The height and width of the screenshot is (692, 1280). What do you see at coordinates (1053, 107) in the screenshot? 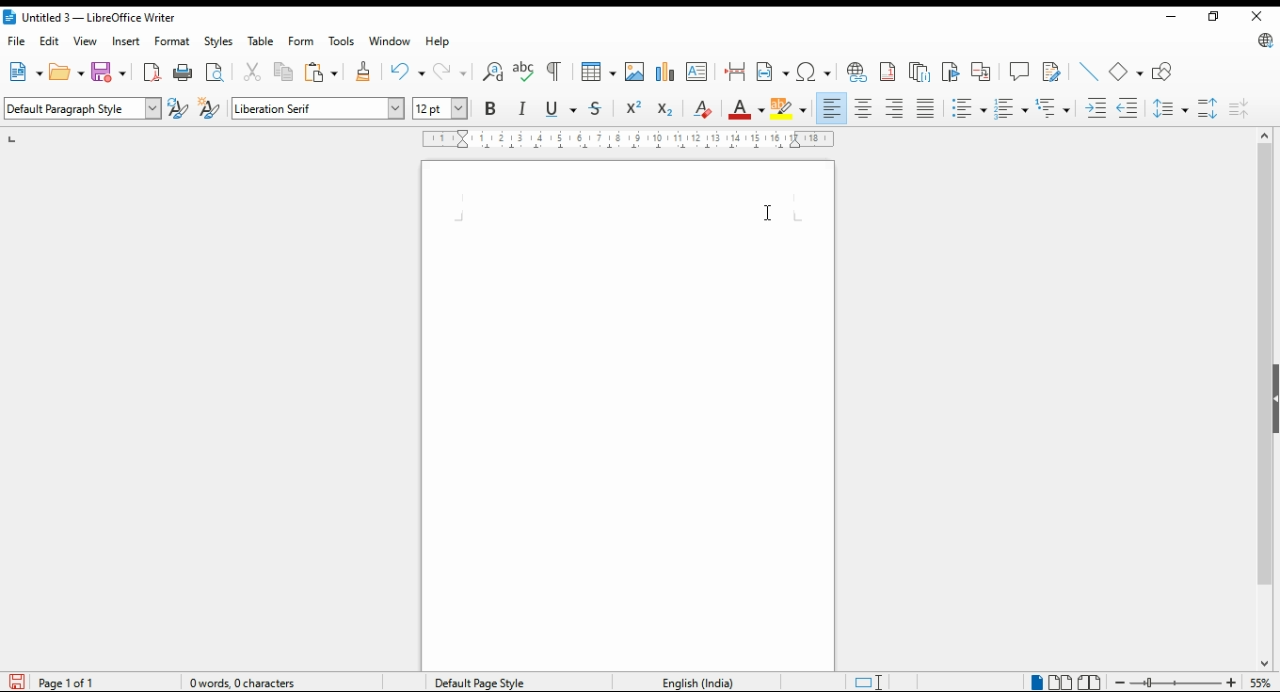
I see `select outline format` at bounding box center [1053, 107].